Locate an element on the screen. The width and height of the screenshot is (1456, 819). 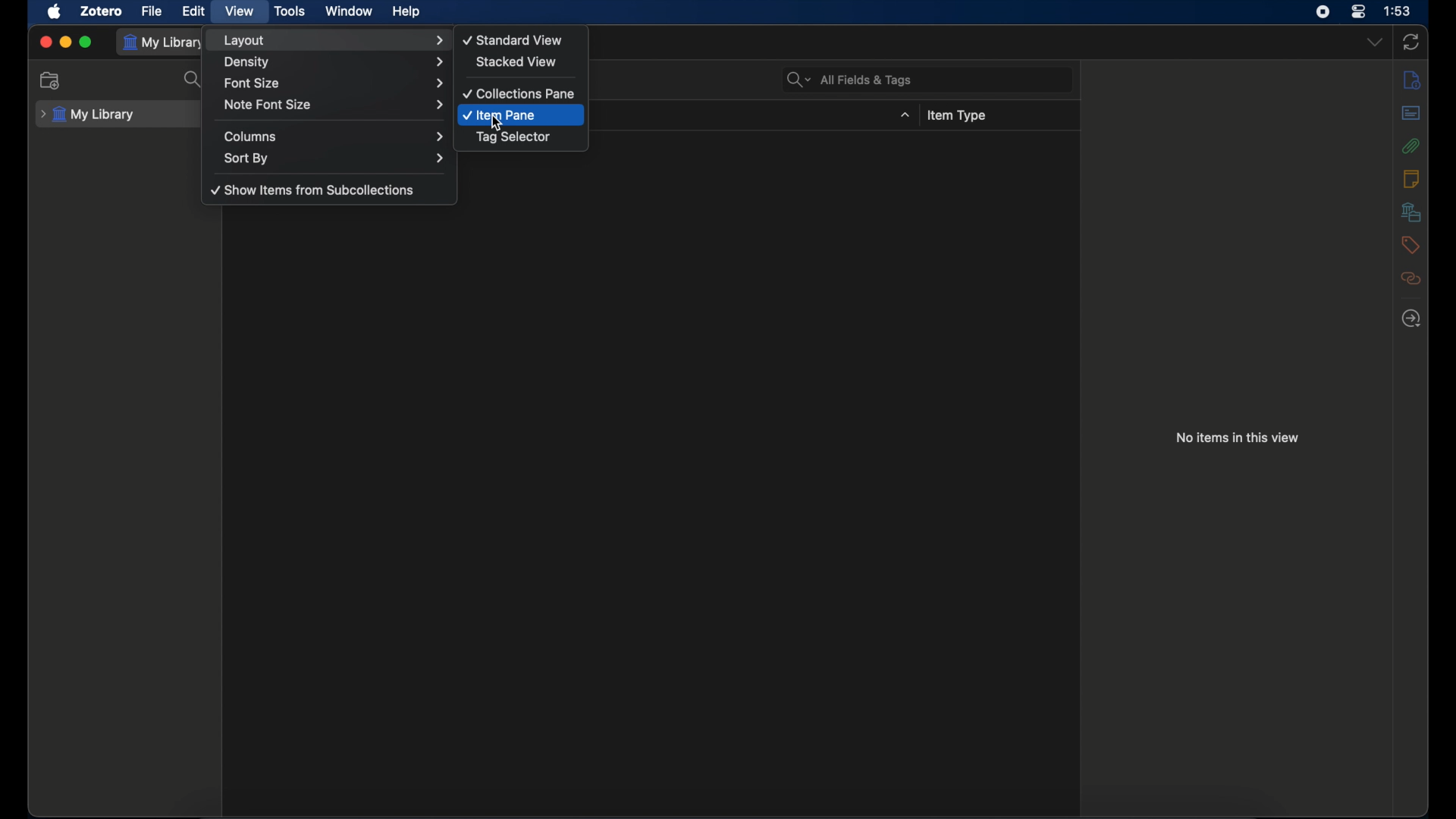
tools is located at coordinates (290, 11).